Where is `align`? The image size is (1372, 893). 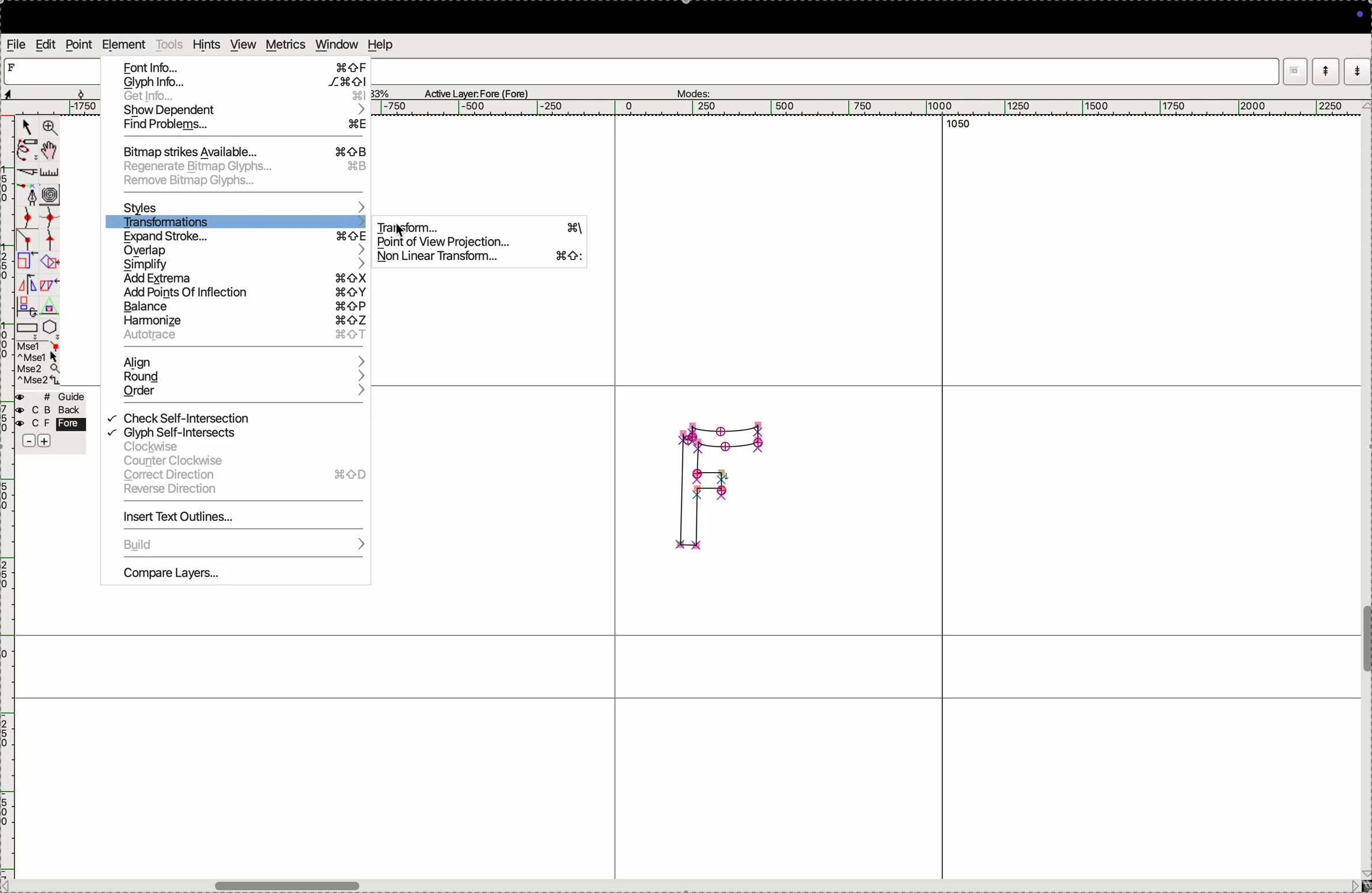 align is located at coordinates (241, 360).